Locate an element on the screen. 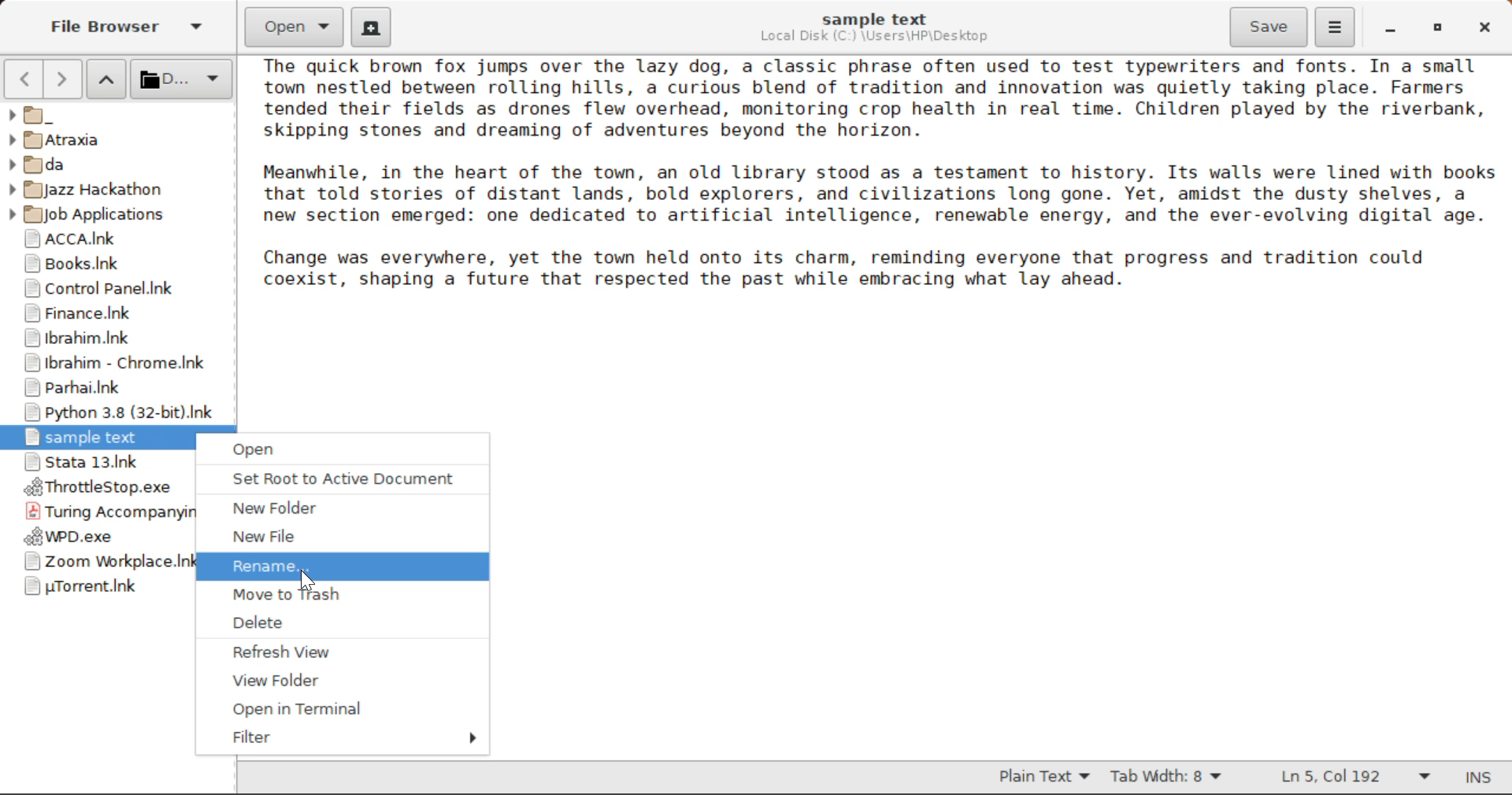  Close is located at coordinates (1482, 28).